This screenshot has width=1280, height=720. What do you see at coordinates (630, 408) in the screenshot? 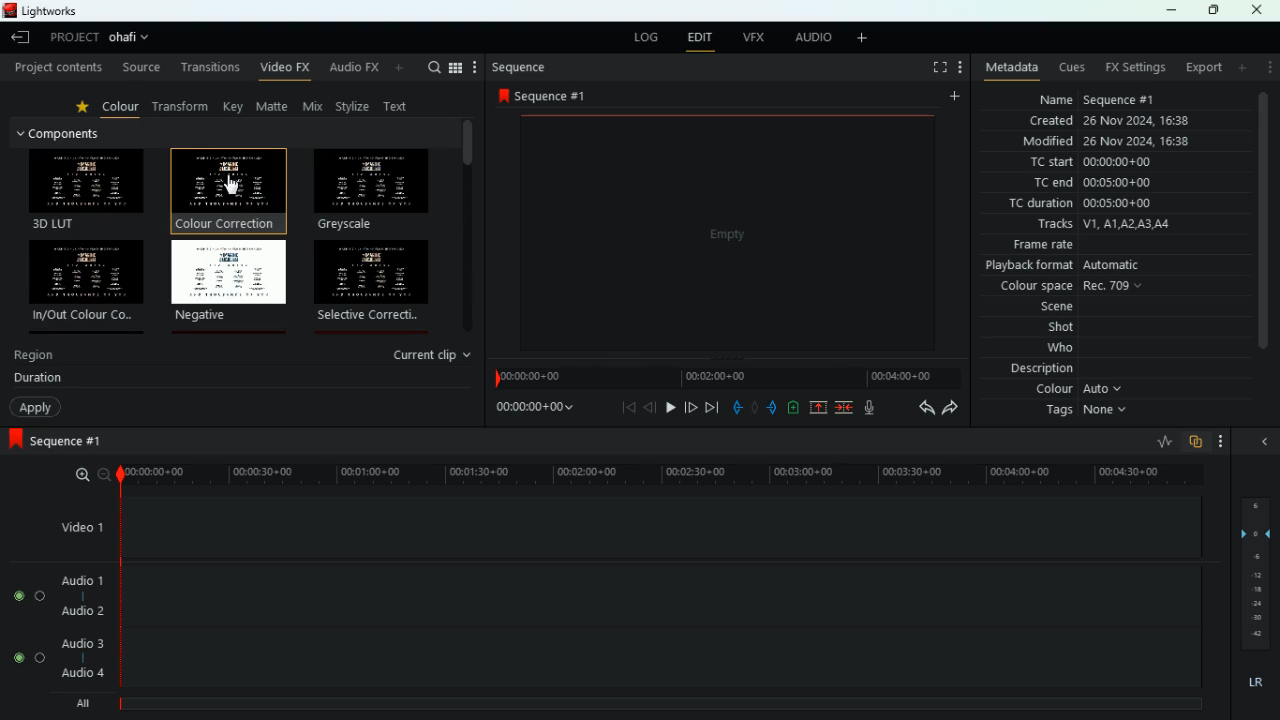
I see `back` at bounding box center [630, 408].